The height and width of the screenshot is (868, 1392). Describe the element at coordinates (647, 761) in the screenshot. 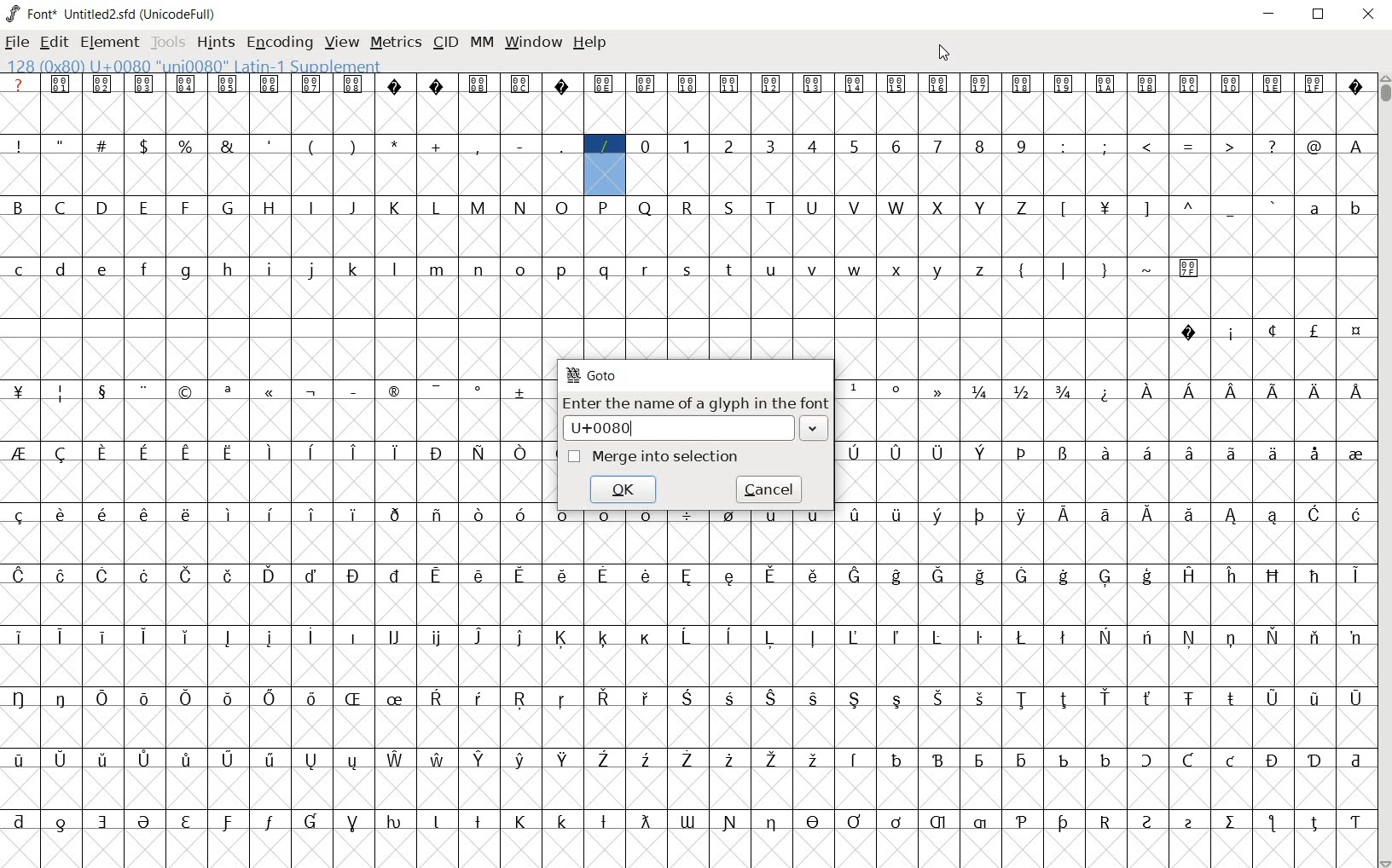

I see `glyph` at that location.